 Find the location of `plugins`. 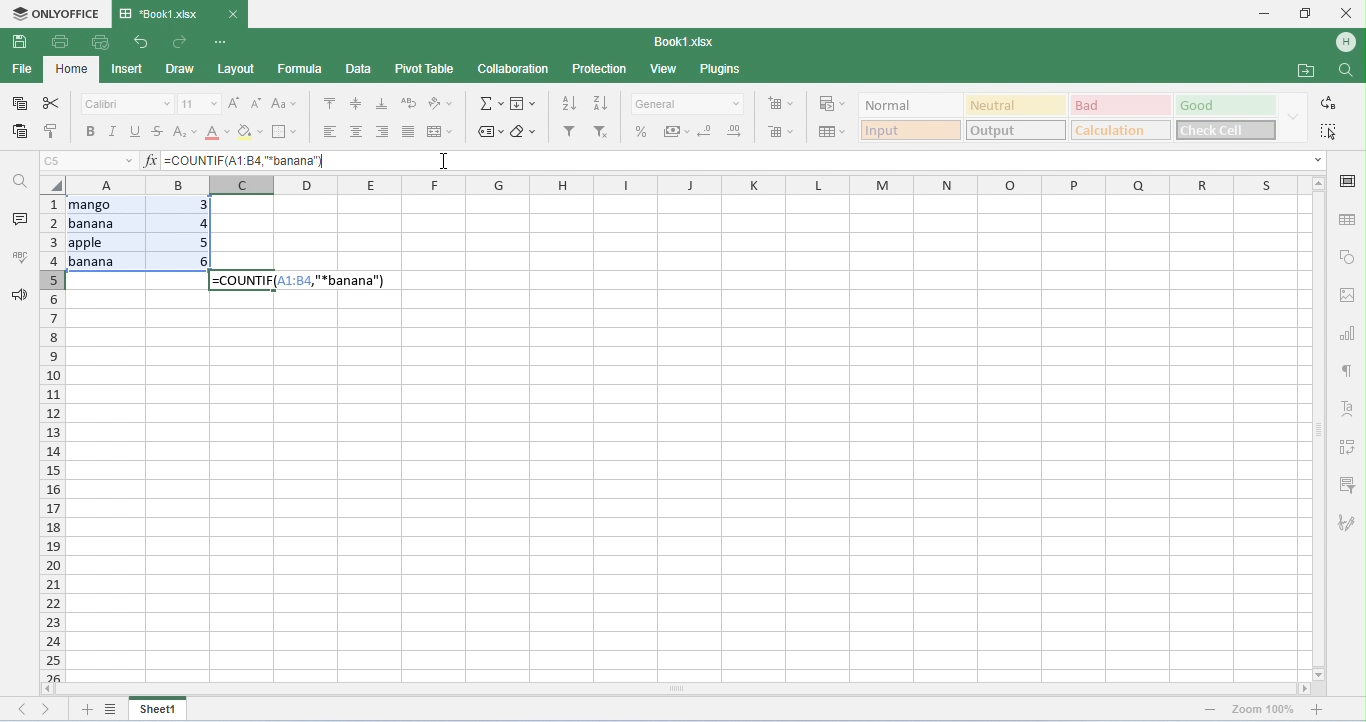

plugins is located at coordinates (722, 70).